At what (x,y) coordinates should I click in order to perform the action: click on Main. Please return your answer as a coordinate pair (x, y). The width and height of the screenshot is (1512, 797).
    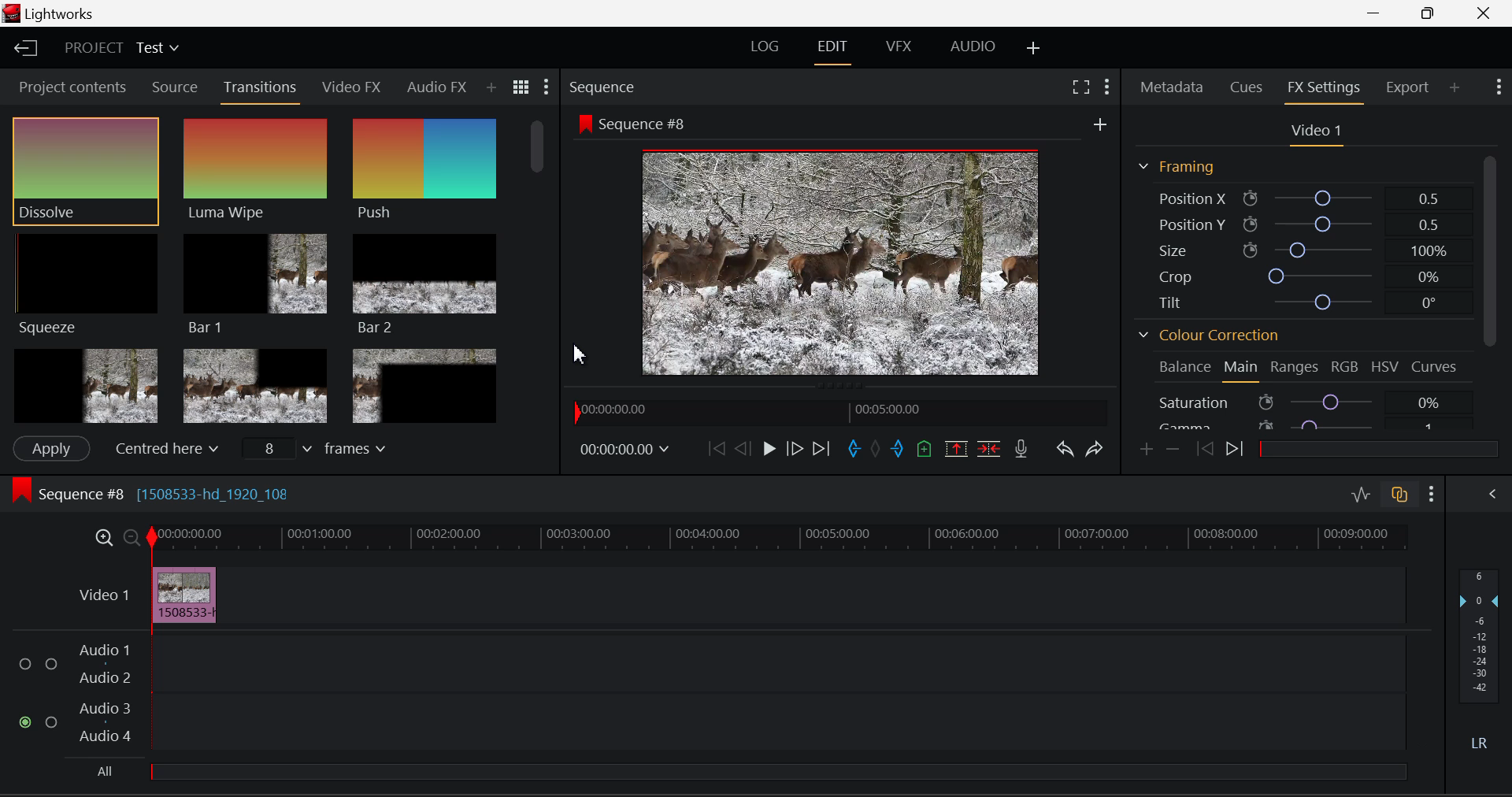
    Looking at the image, I should click on (1243, 370).